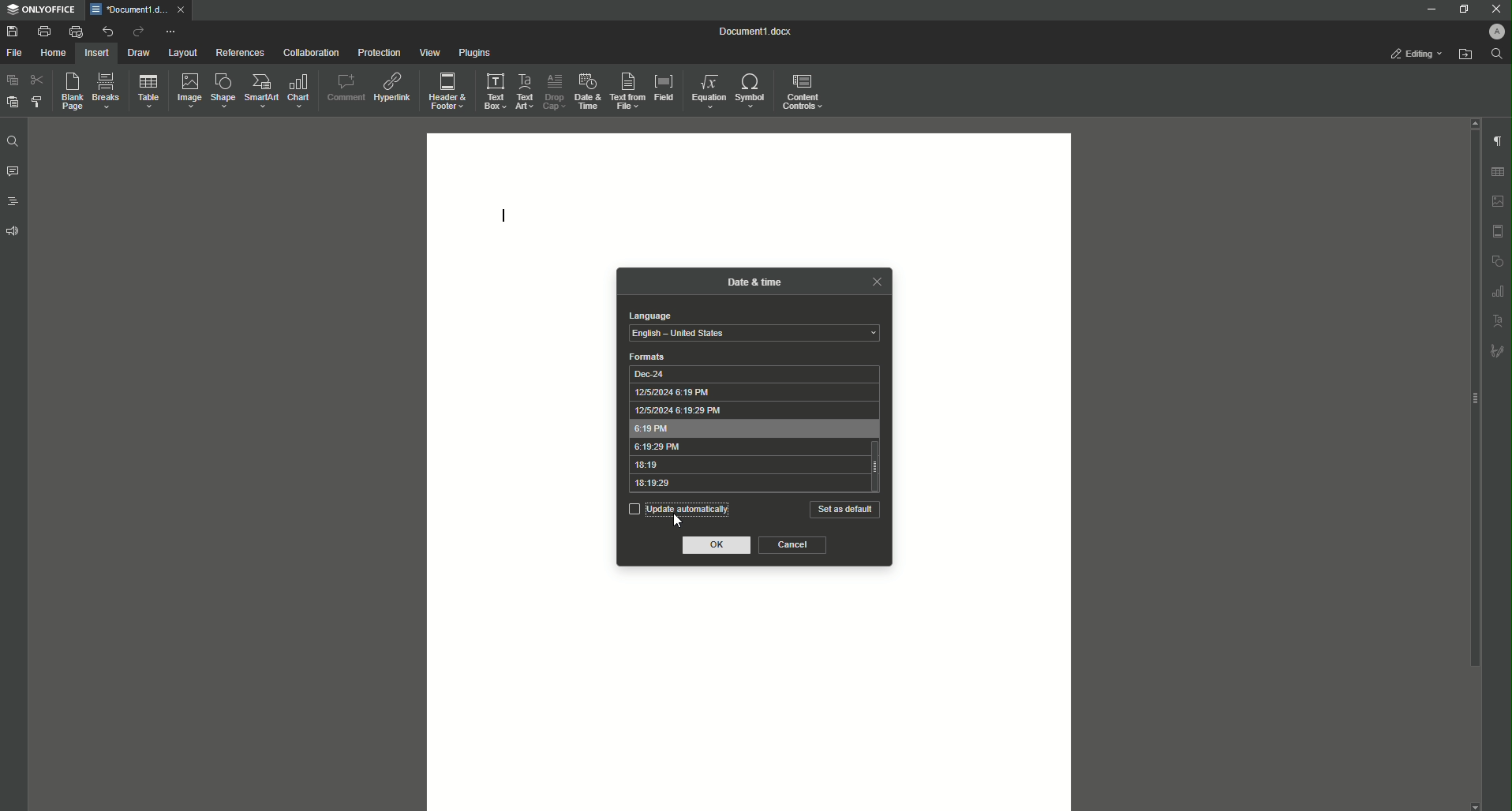 The height and width of the screenshot is (811, 1512). What do you see at coordinates (494, 90) in the screenshot?
I see `Text Box` at bounding box center [494, 90].